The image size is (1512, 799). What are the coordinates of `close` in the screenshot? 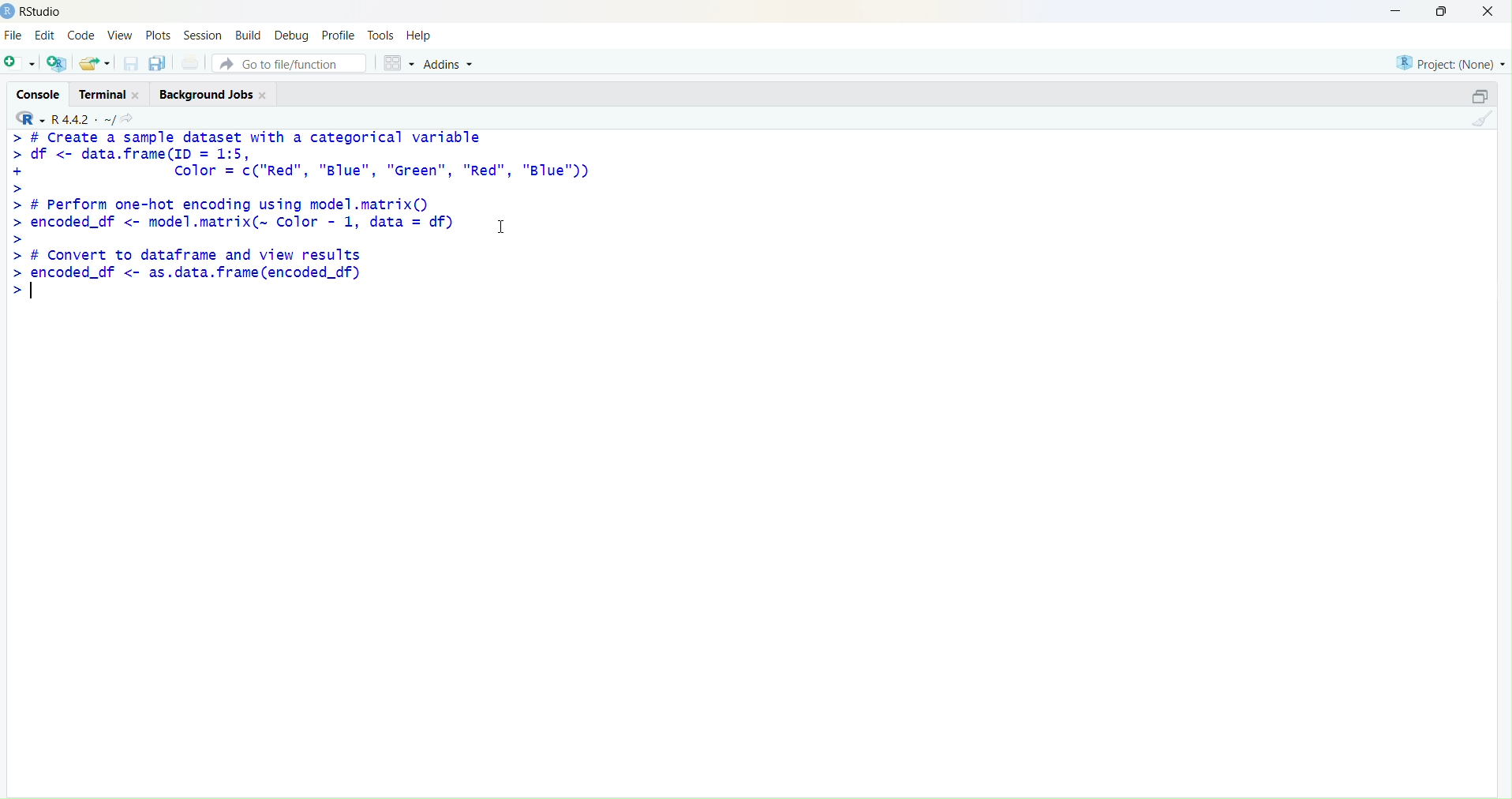 It's located at (137, 96).